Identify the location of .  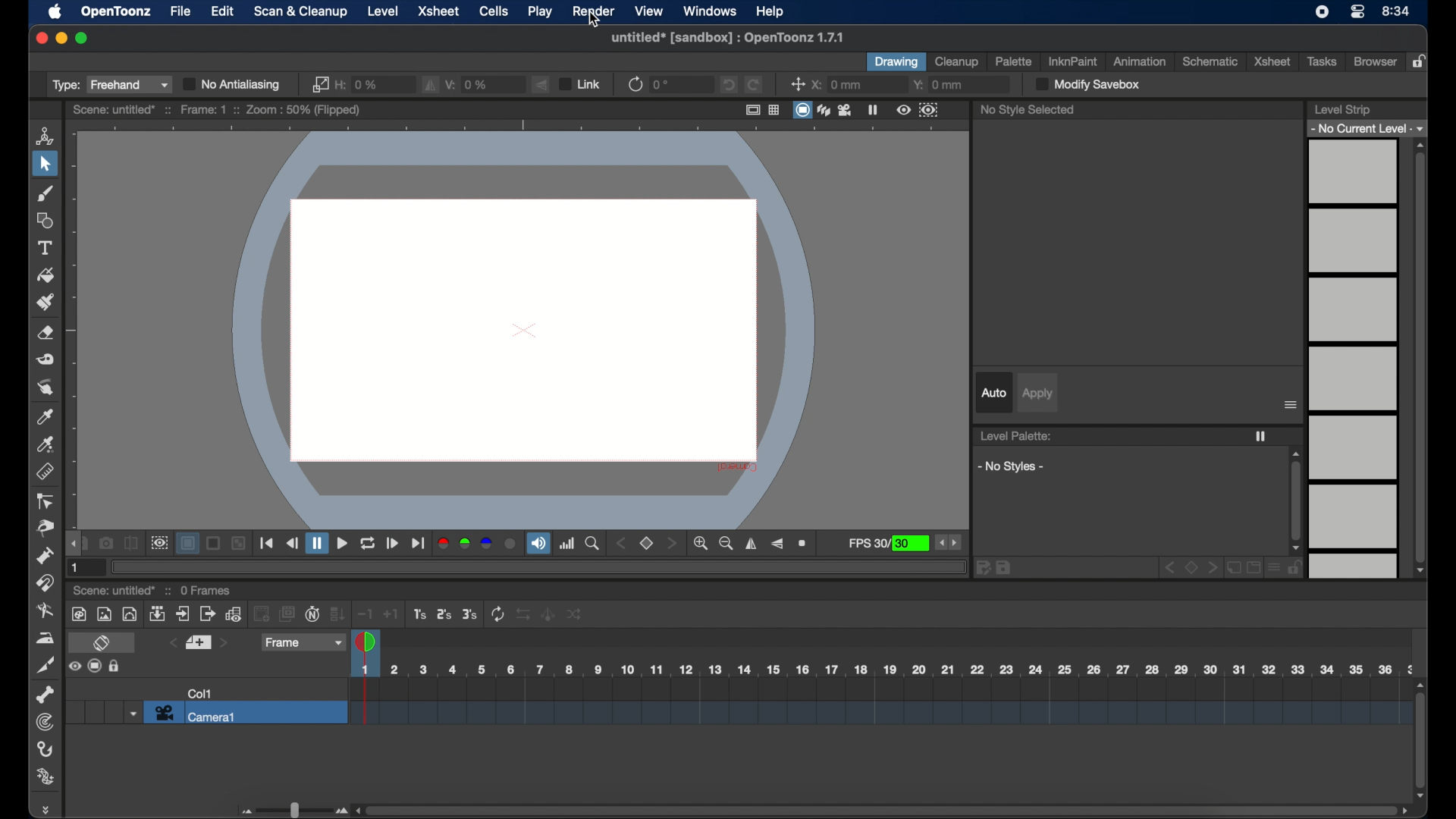
(1215, 568).